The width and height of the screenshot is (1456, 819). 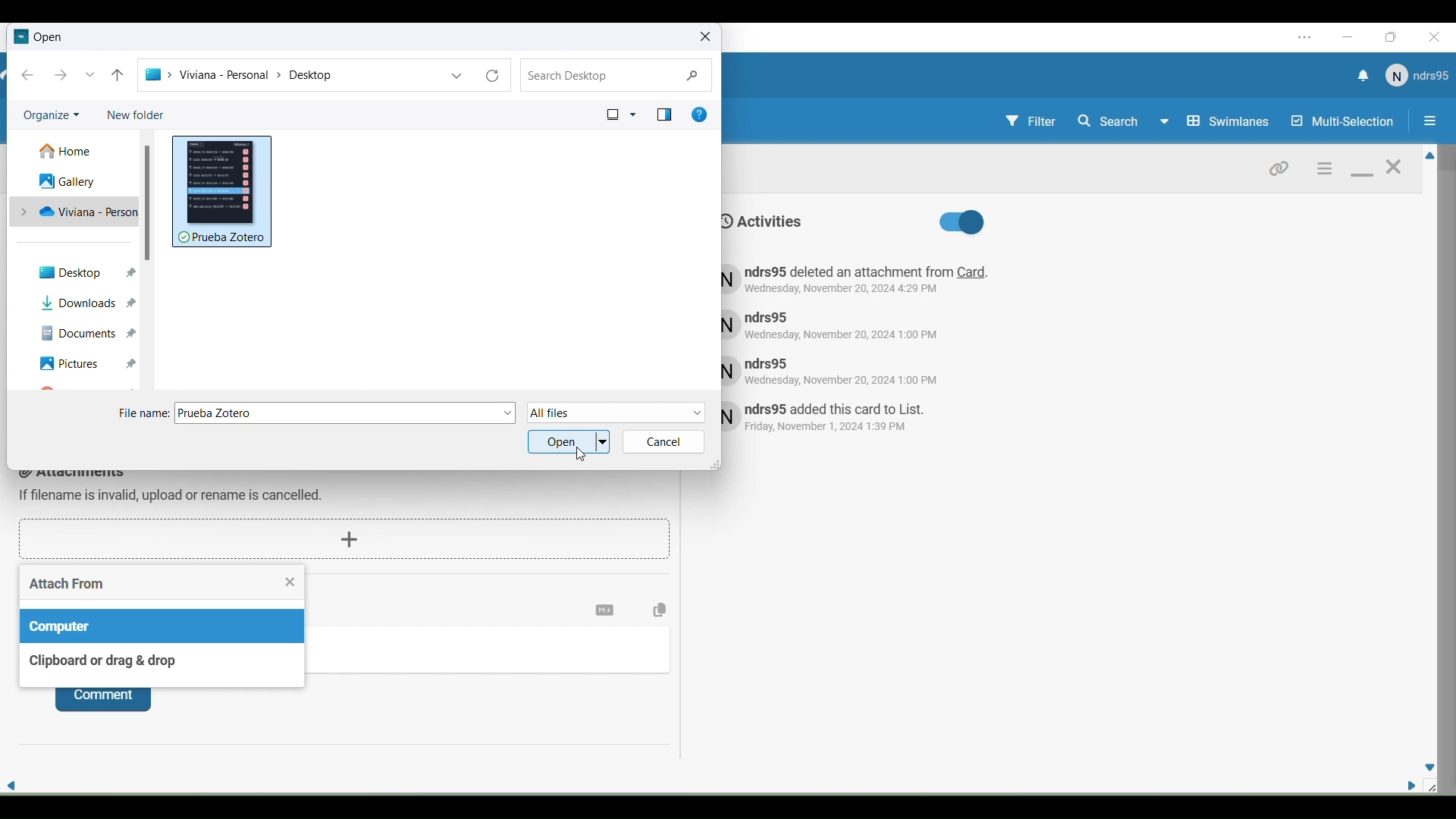 I want to click on Previous, so click(x=27, y=75).